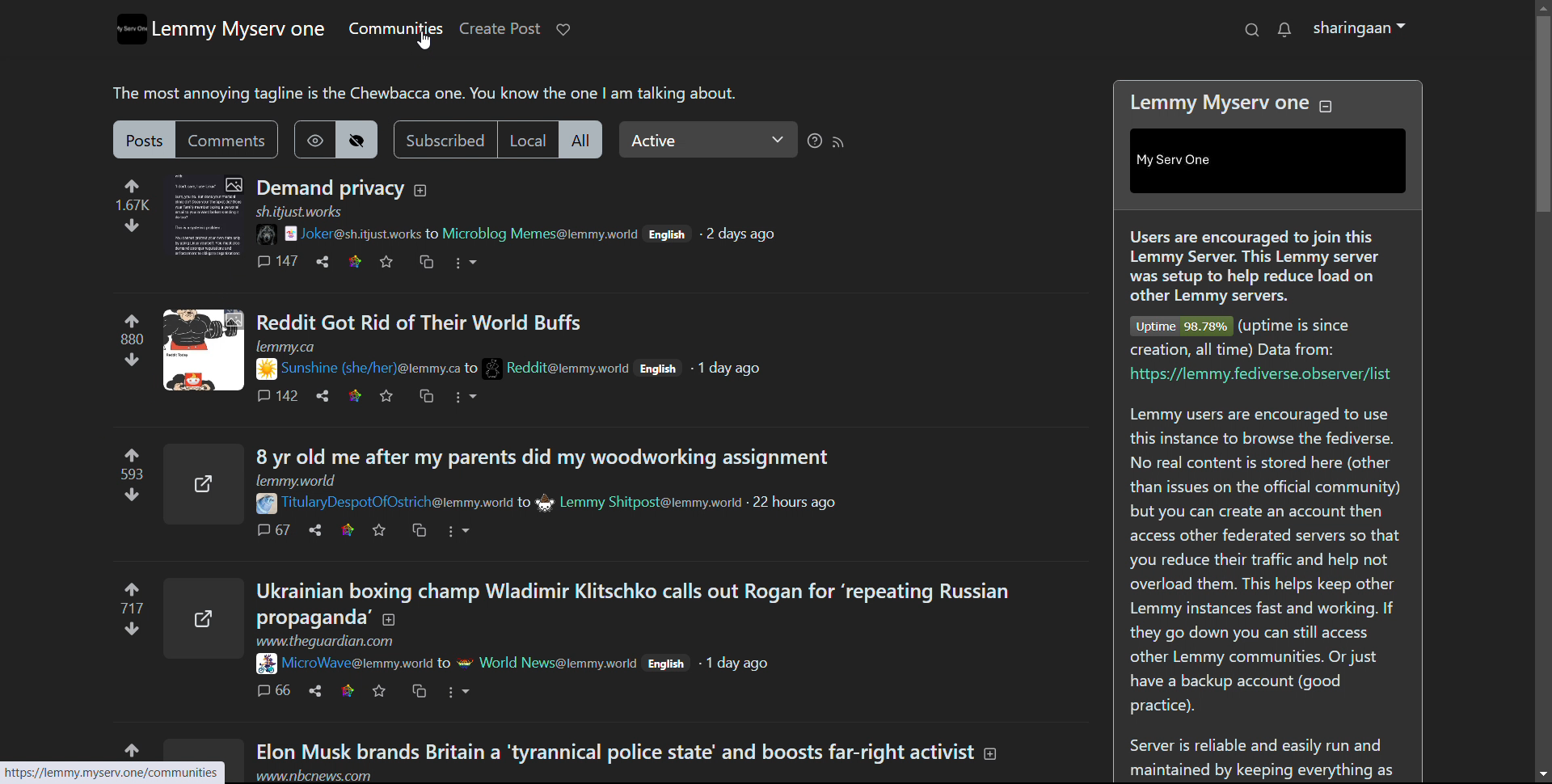 The height and width of the screenshot is (784, 1552). What do you see at coordinates (424, 41) in the screenshot?
I see `cursor` at bounding box center [424, 41].